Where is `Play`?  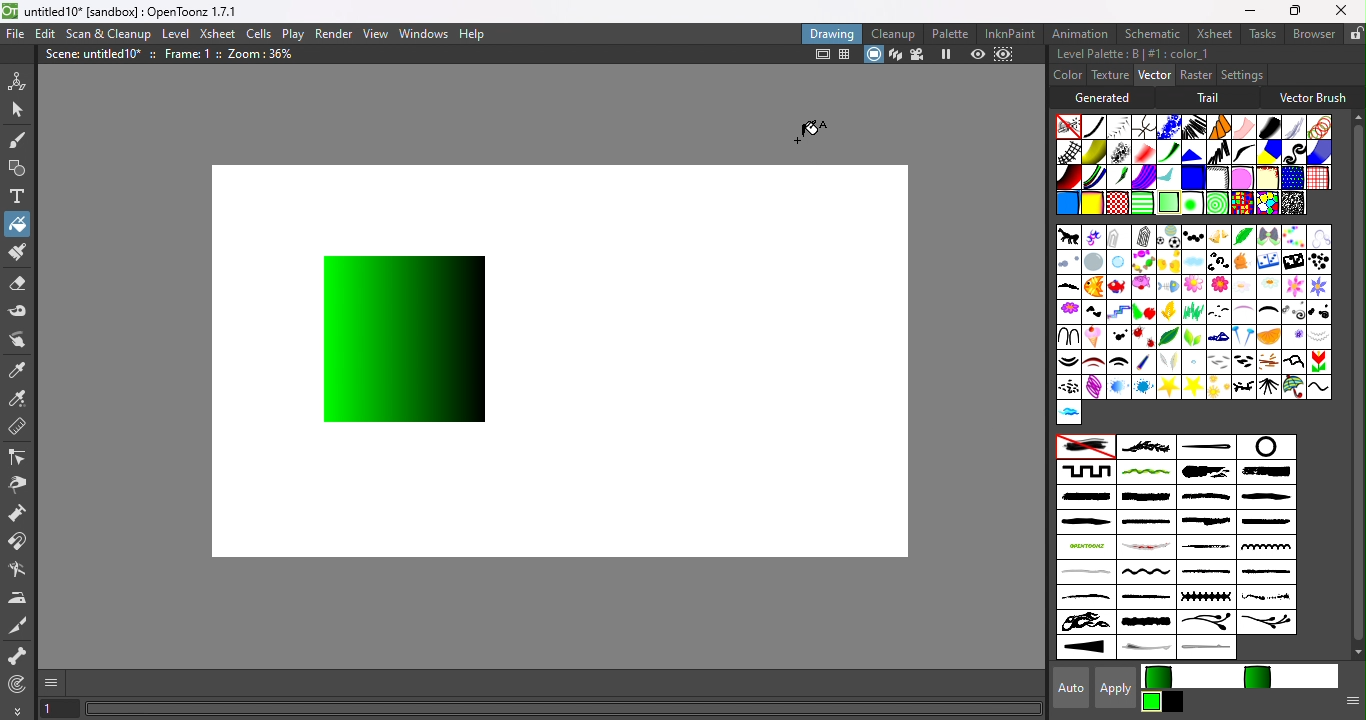 Play is located at coordinates (292, 33).